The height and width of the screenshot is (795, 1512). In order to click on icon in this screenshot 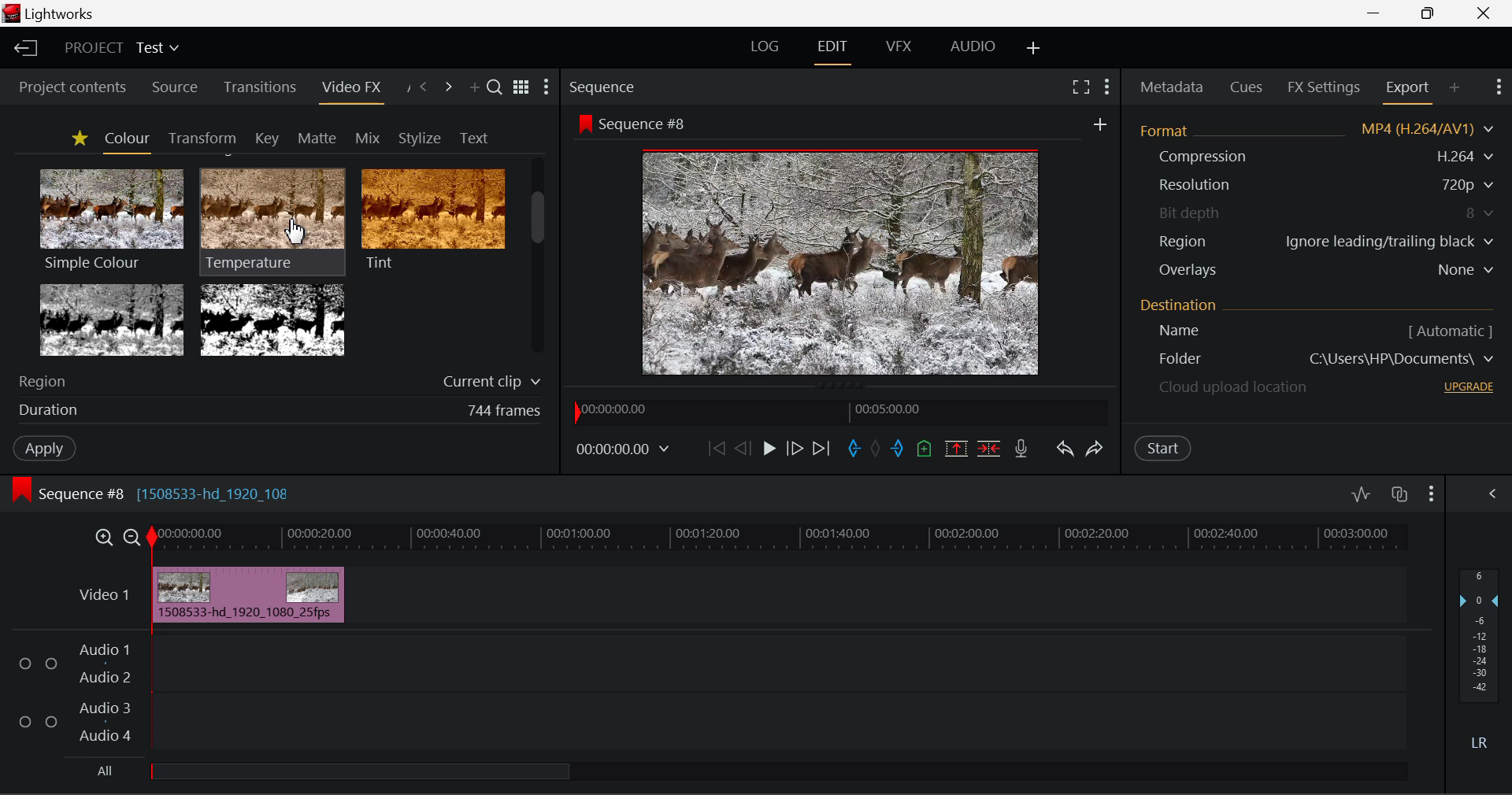, I will do `click(584, 124)`.